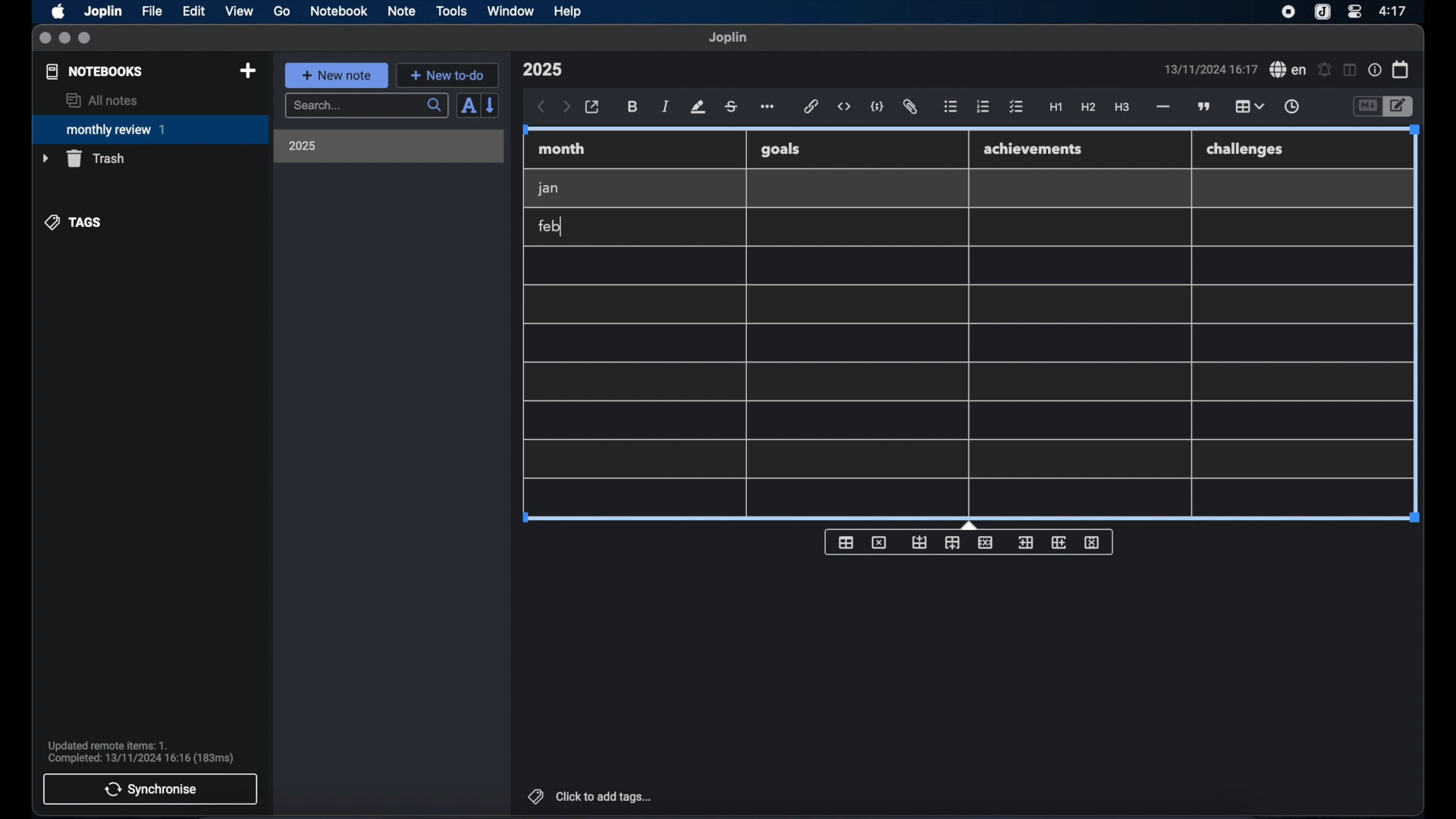  I want to click on joplin, so click(728, 37).